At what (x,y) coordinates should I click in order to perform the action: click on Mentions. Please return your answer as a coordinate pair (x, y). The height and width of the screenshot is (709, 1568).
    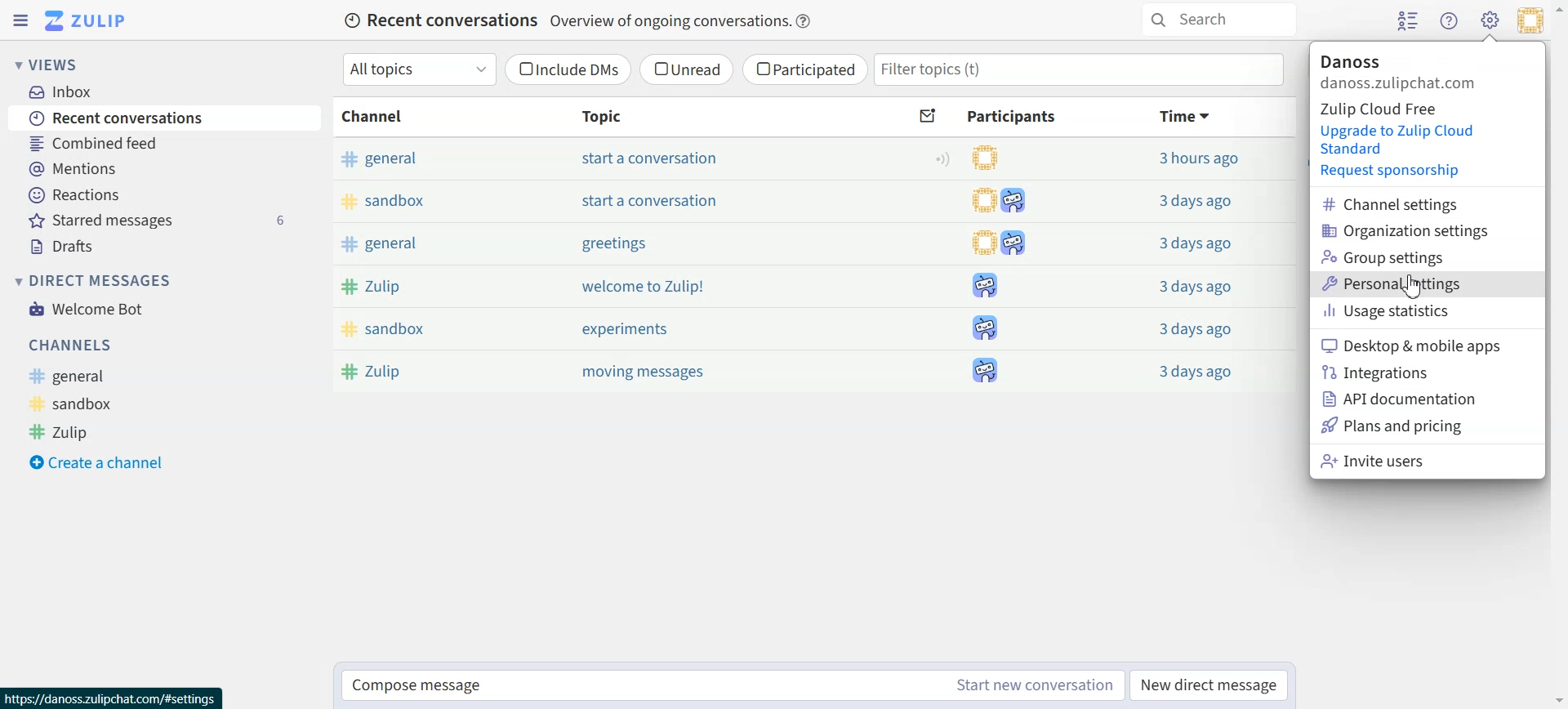
    Looking at the image, I should click on (78, 167).